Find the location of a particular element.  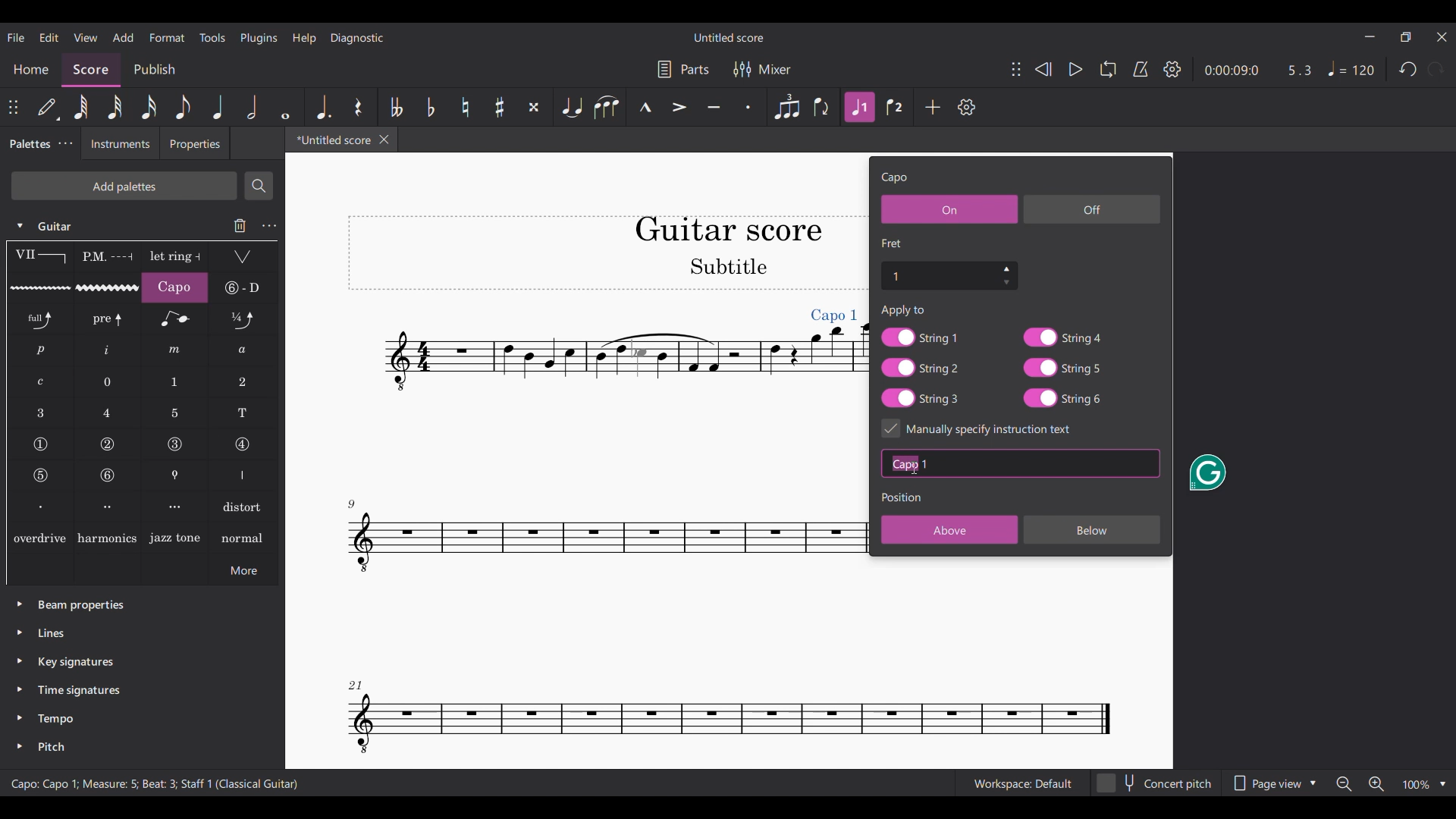

Guitar vibrato is located at coordinates (40, 288).